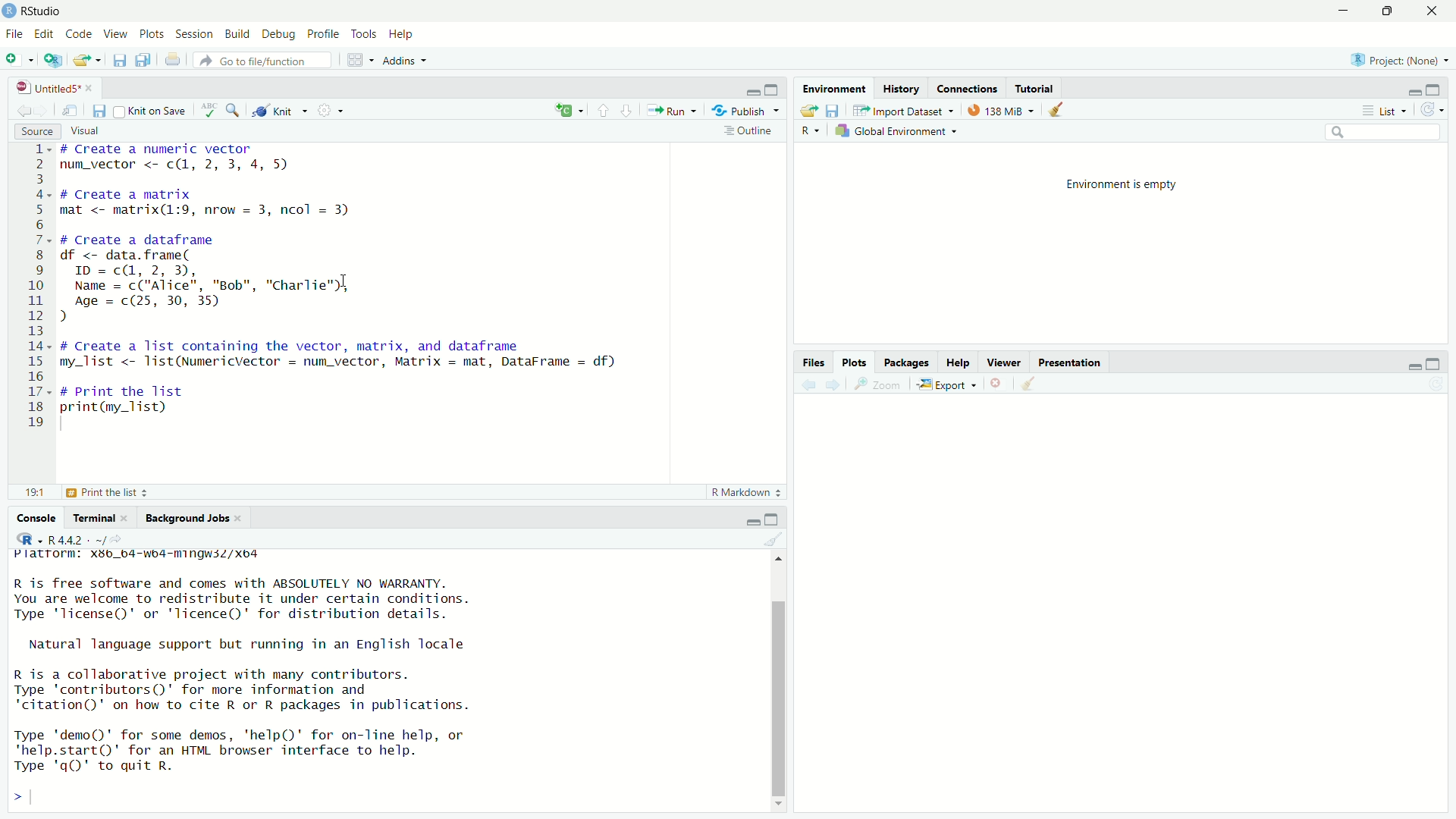  I want to click on ) | Untitled5*, so click(53, 88).